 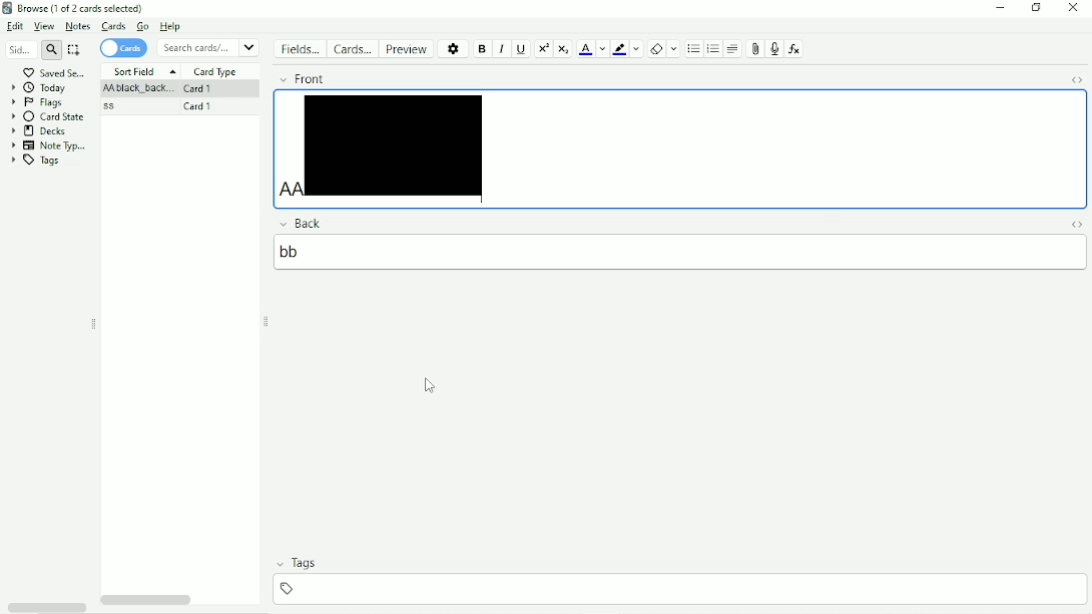 I want to click on Toggle HTML Editor, so click(x=1077, y=222).